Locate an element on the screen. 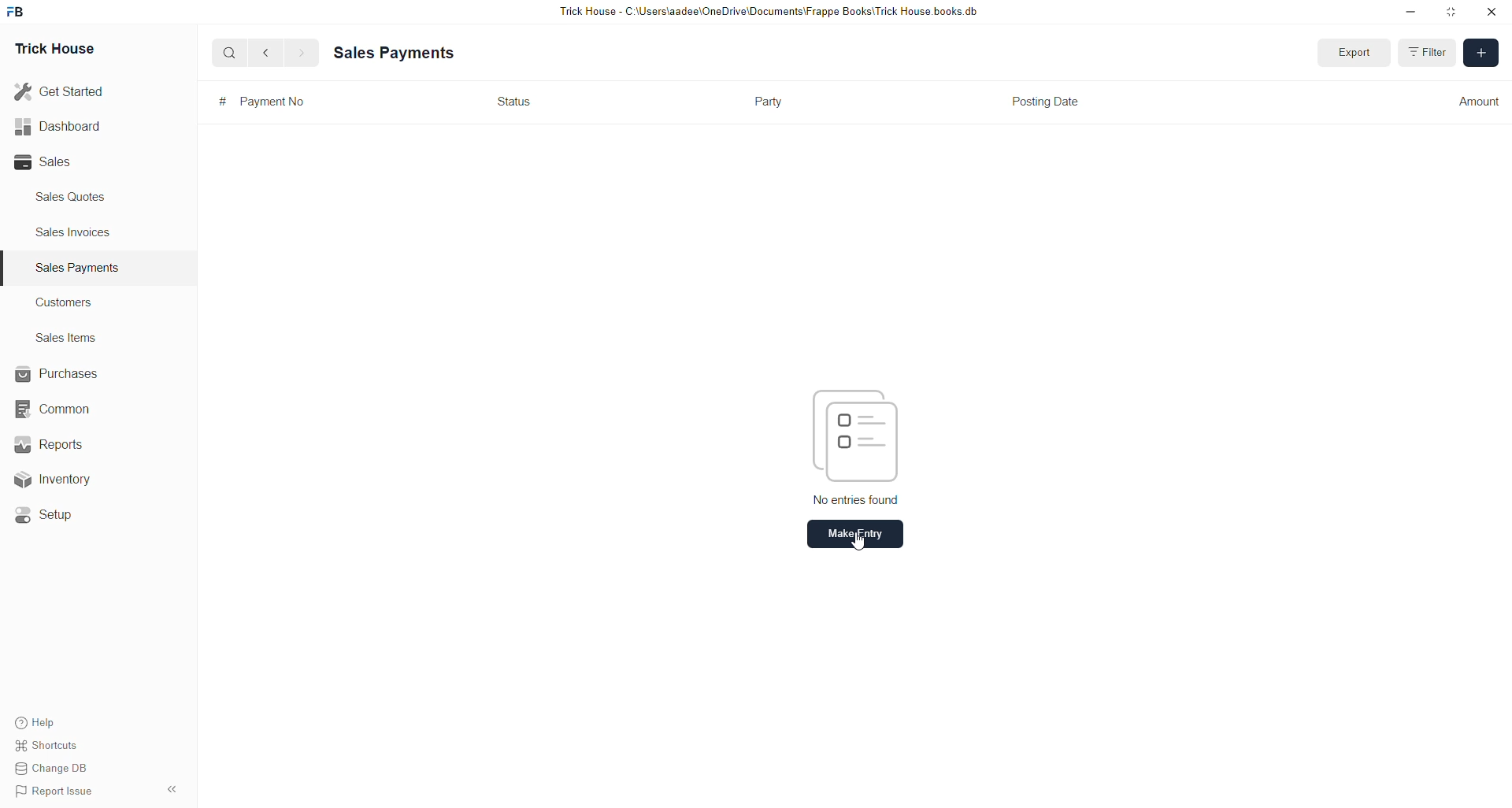  Dashboard is located at coordinates (57, 129).